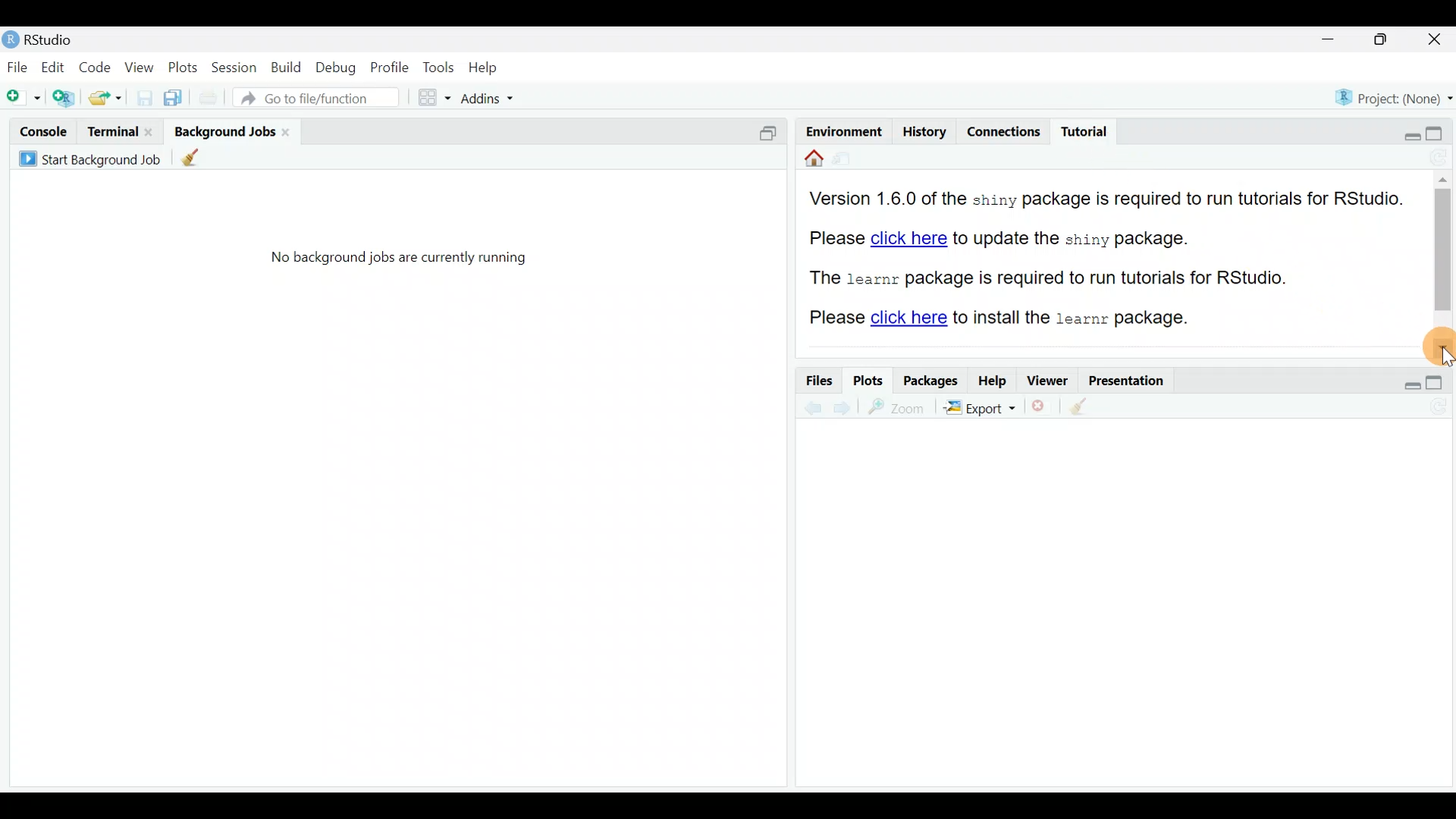 The width and height of the screenshot is (1456, 819). Describe the element at coordinates (1401, 133) in the screenshot. I see `Restore down` at that location.